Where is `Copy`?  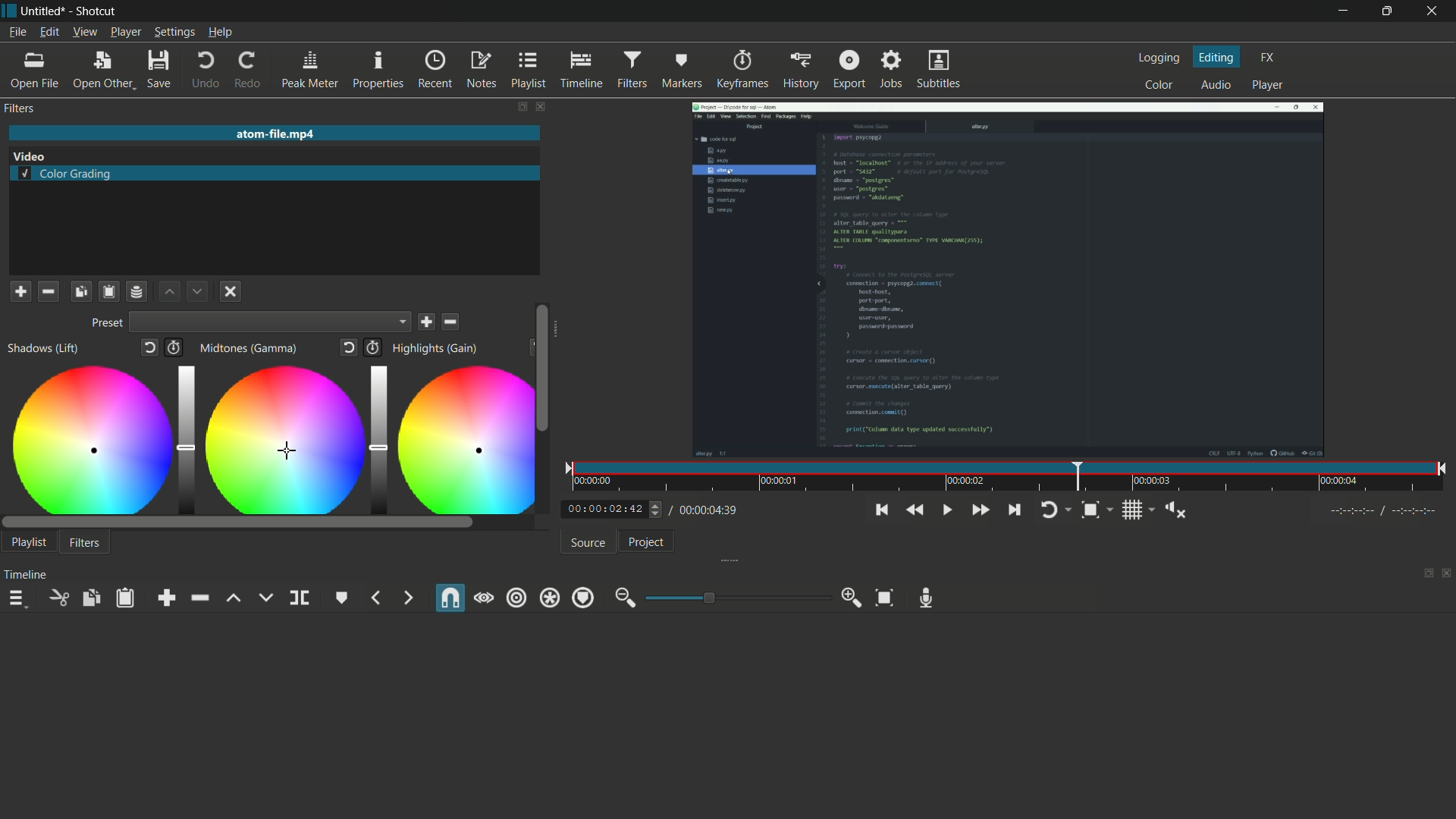 Copy is located at coordinates (81, 290).